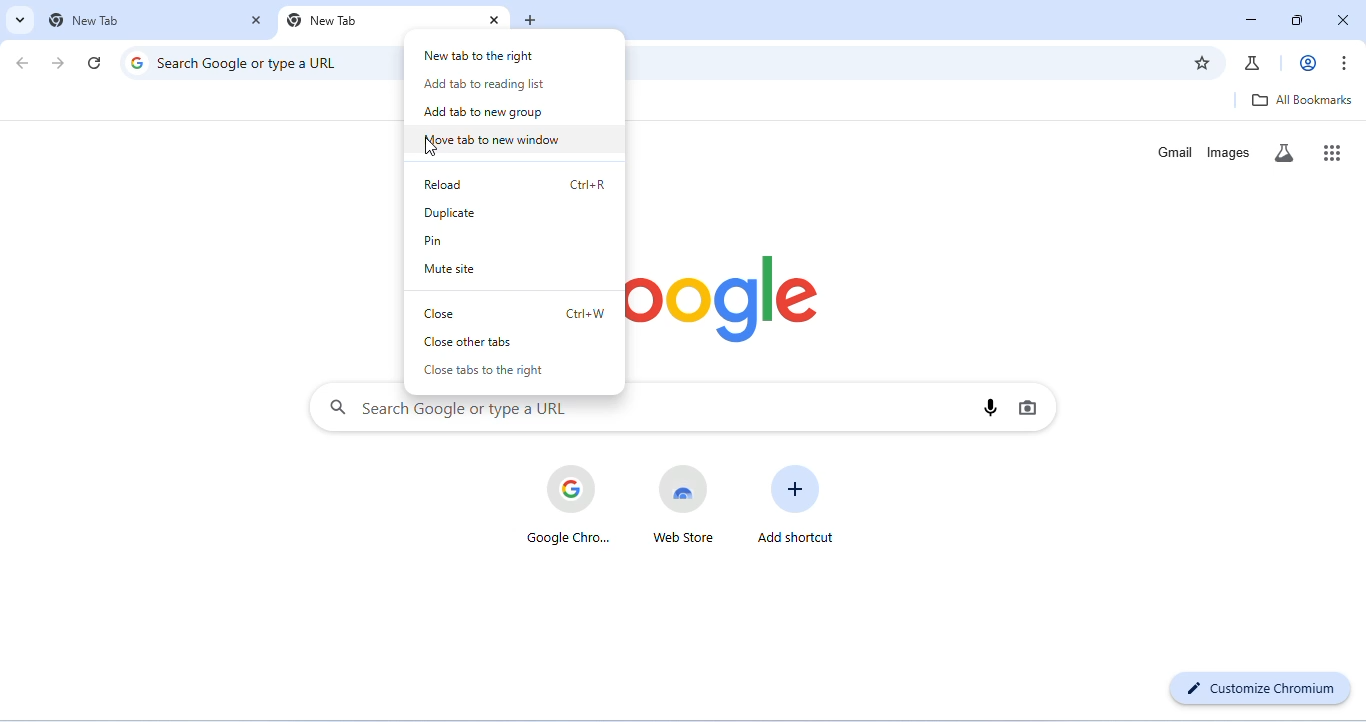 The height and width of the screenshot is (722, 1366). Describe the element at coordinates (1260, 686) in the screenshot. I see `customize chromium` at that location.